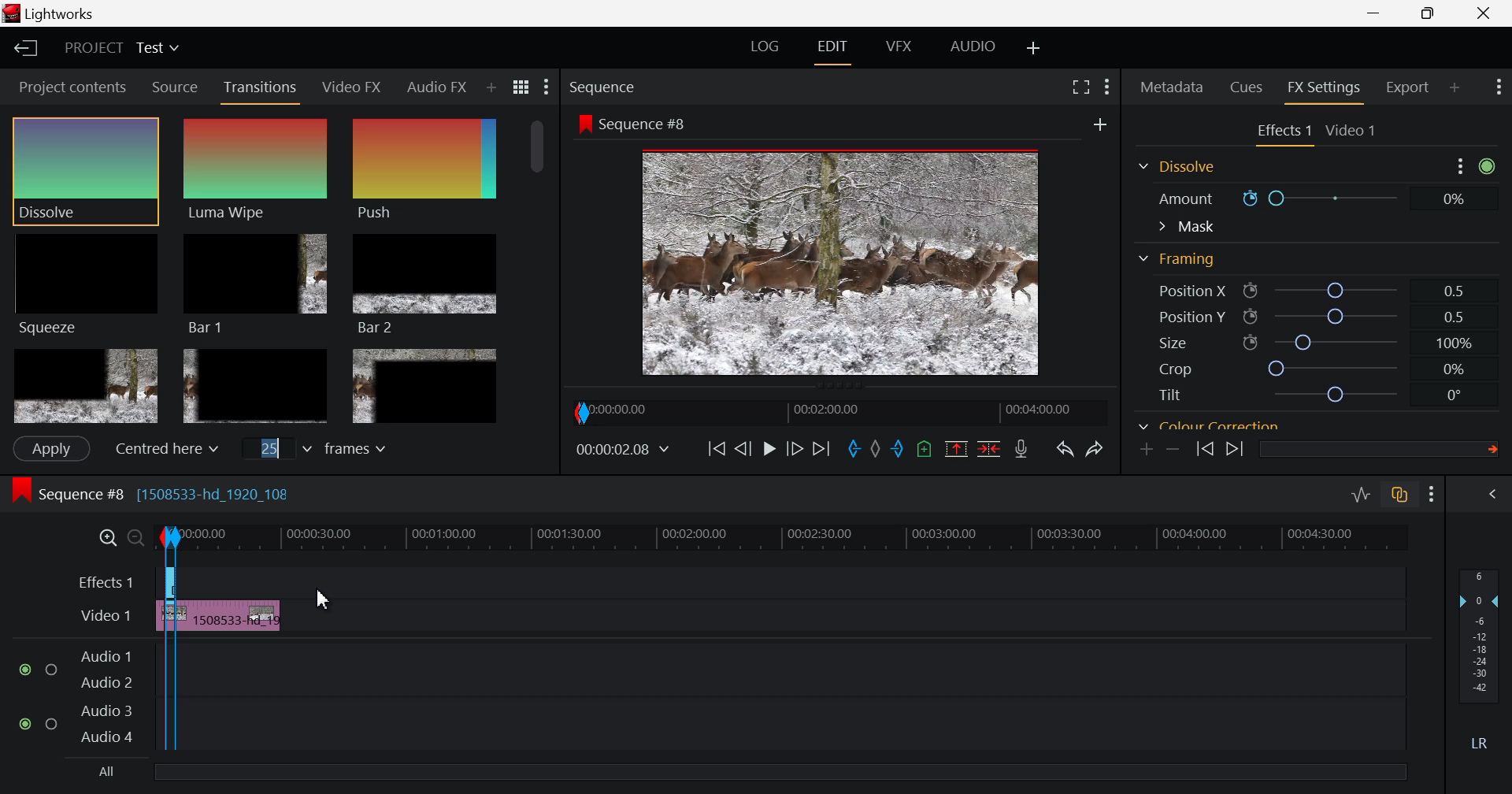 The height and width of the screenshot is (794, 1512). What do you see at coordinates (1435, 13) in the screenshot?
I see `Minimize` at bounding box center [1435, 13].